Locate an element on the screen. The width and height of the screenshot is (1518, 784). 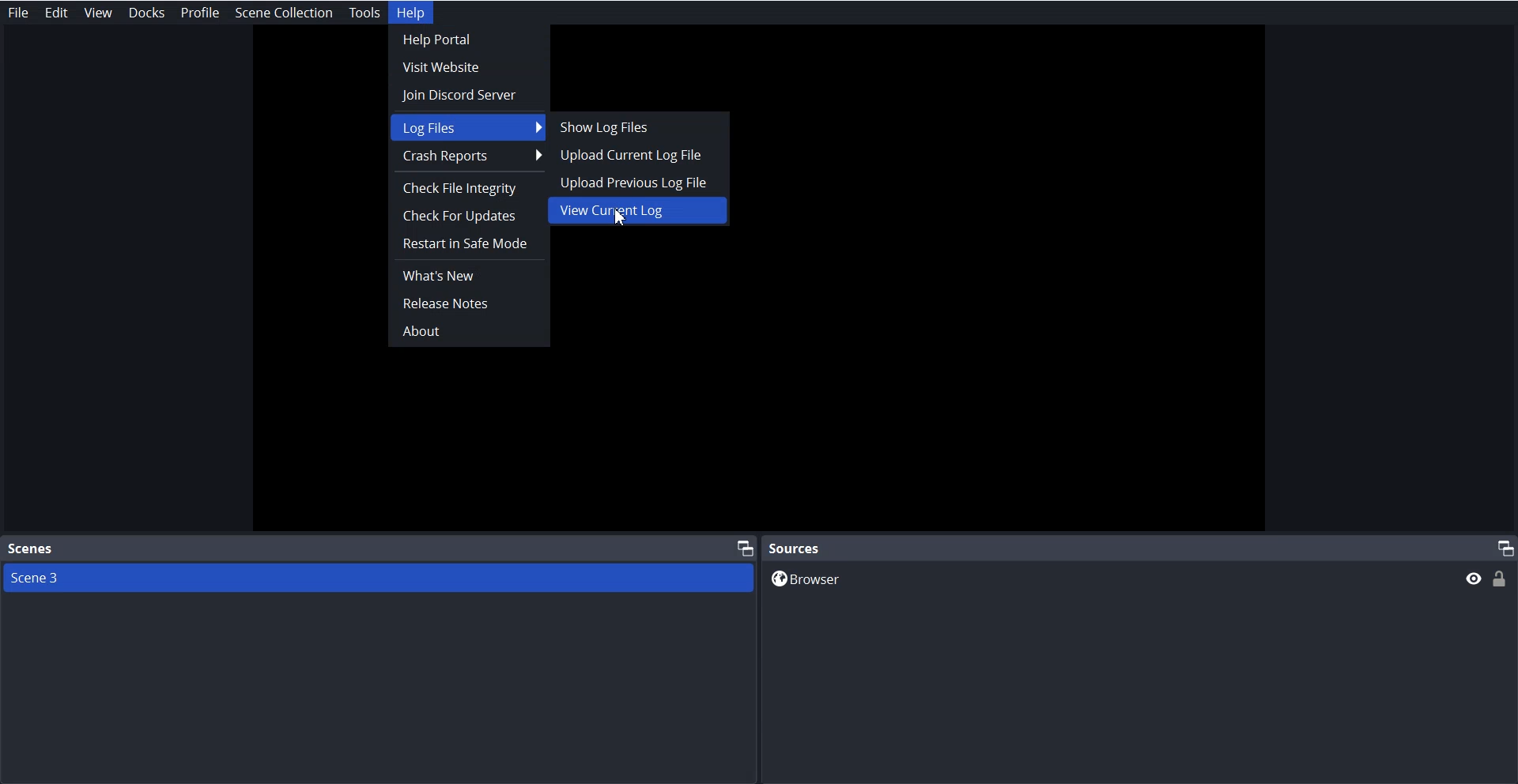
Source is located at coordinates (797, 548).